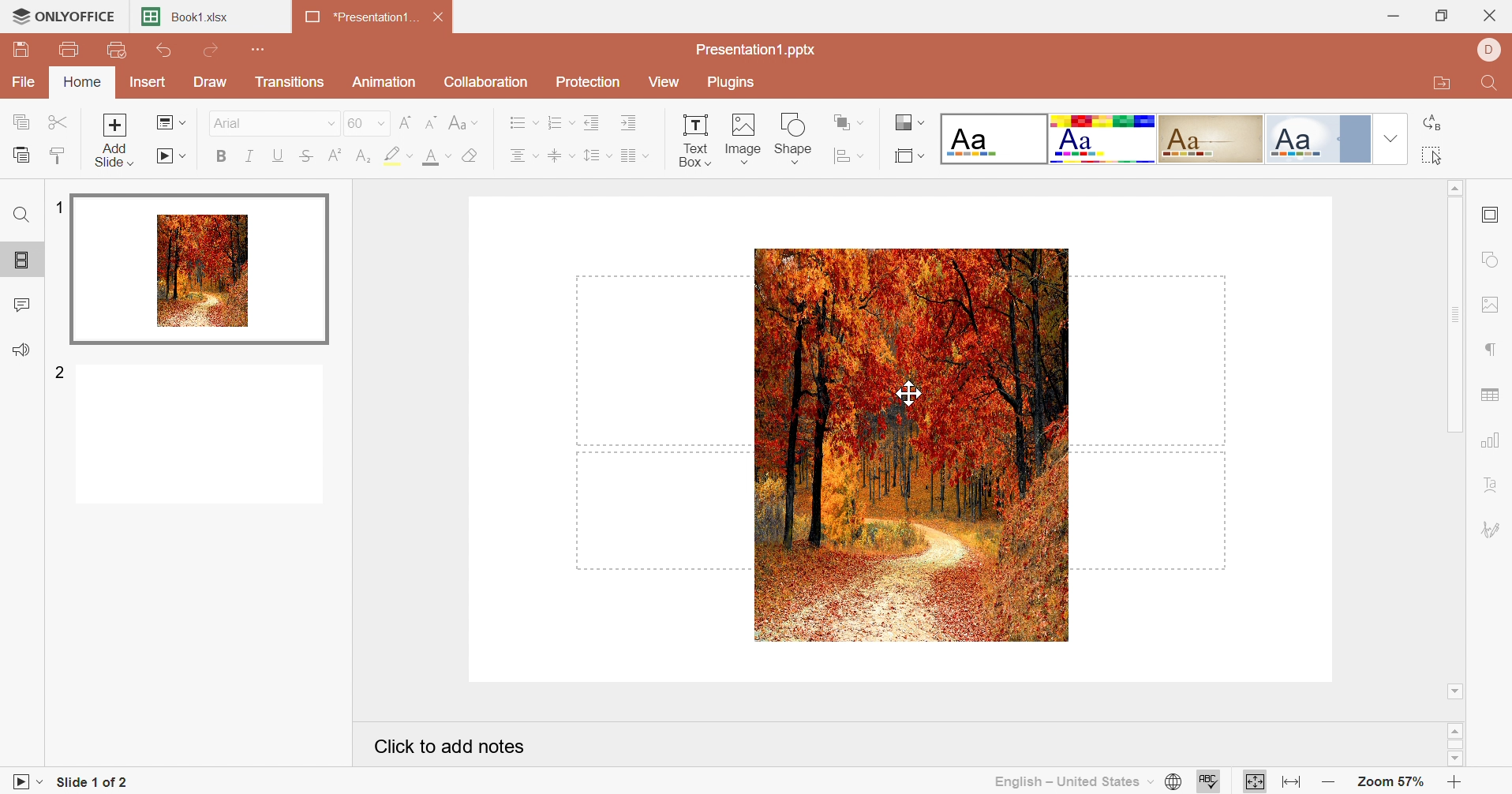 This screenshot has height=794, width=1512. I want to click on Increase Indent, so click(628, 125).